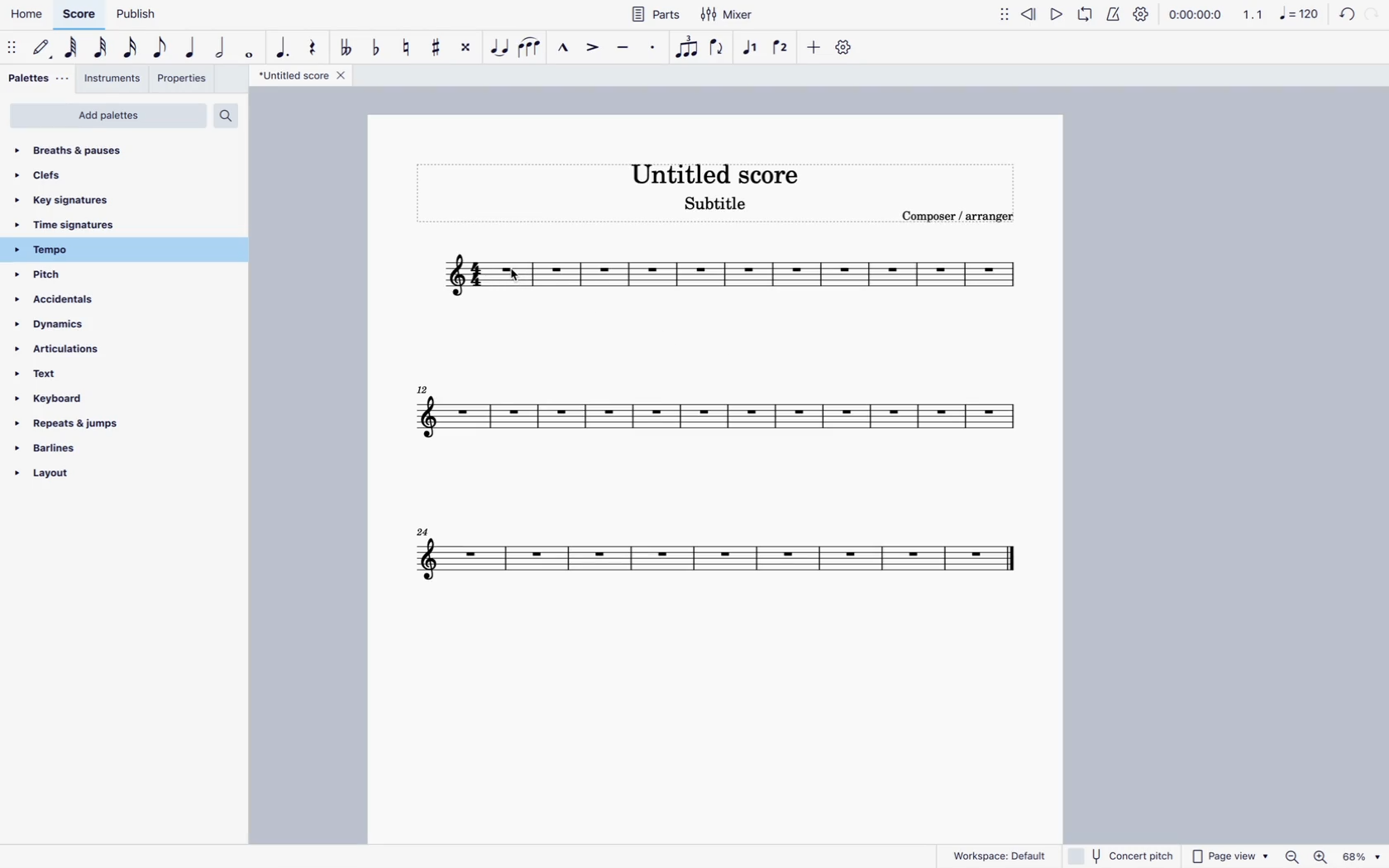 The width and height of the screenshot is (1389, 868). What do you see at coordinates (715, 206) in the screenshot?
I see `score subtitle` at bounding box center [715, 206].